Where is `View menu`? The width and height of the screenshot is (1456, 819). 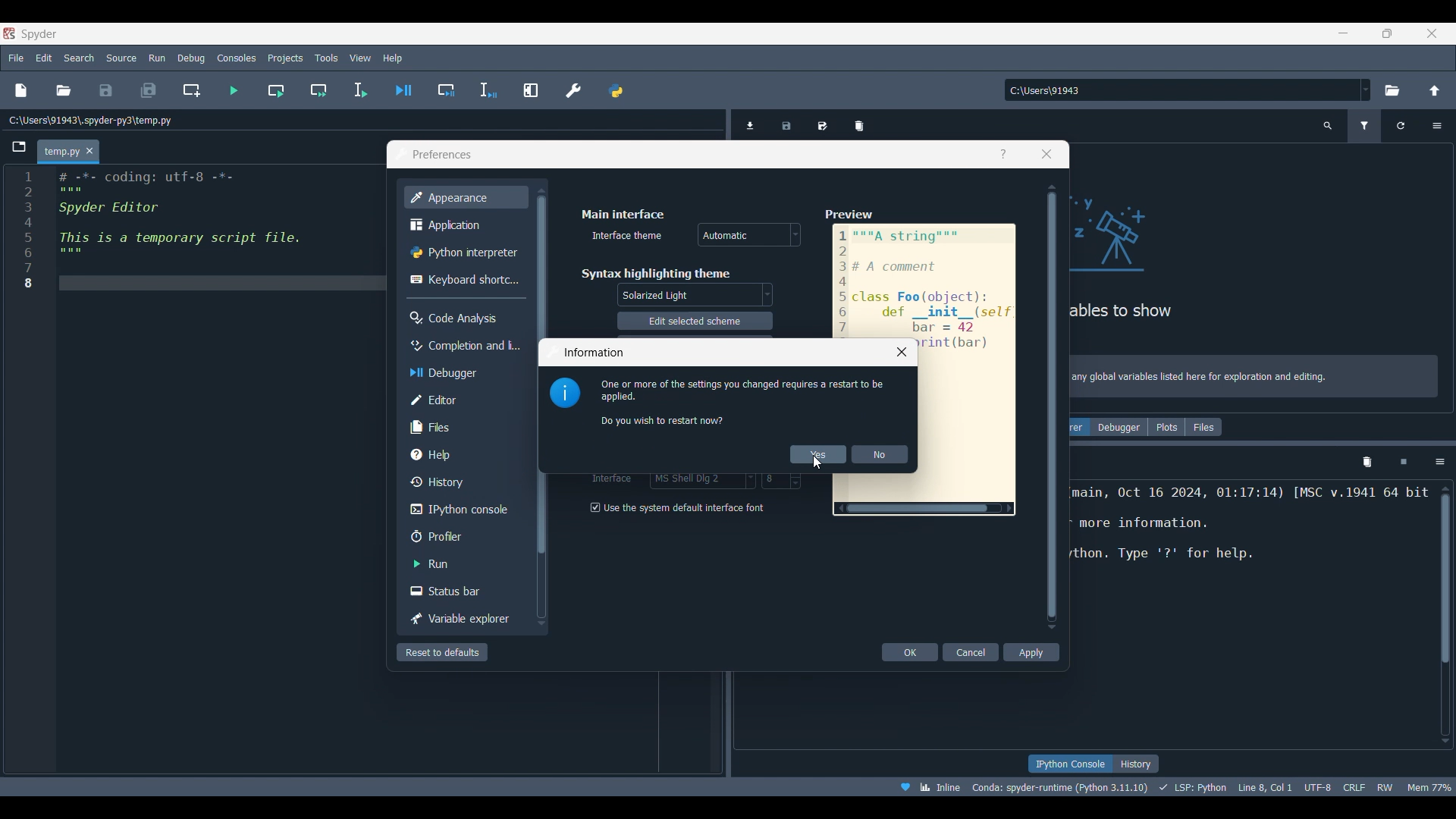
View menu is located at coordinates (360, 58).